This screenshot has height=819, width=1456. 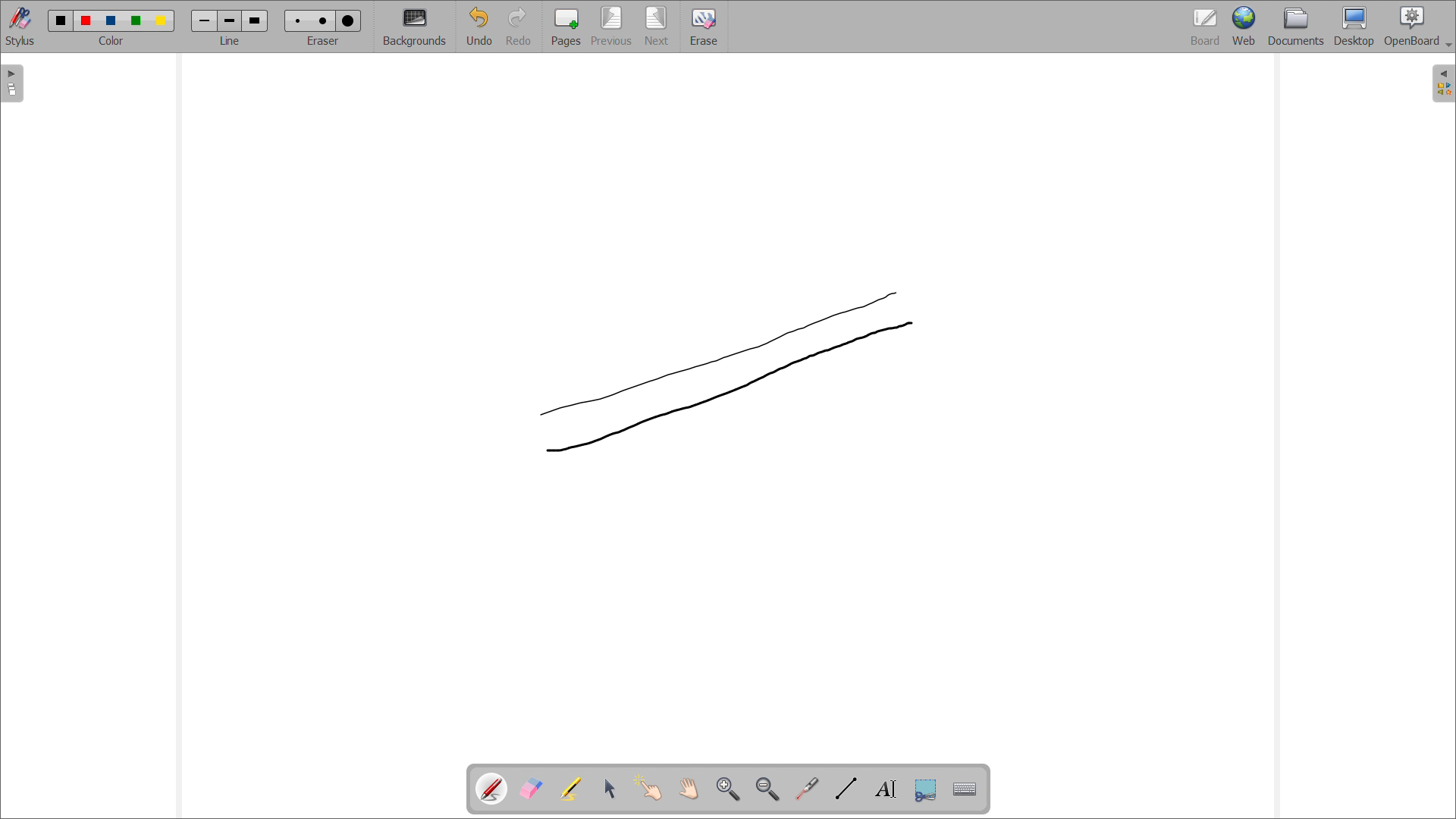 I want to click on next page, so click(x=657, y=27).